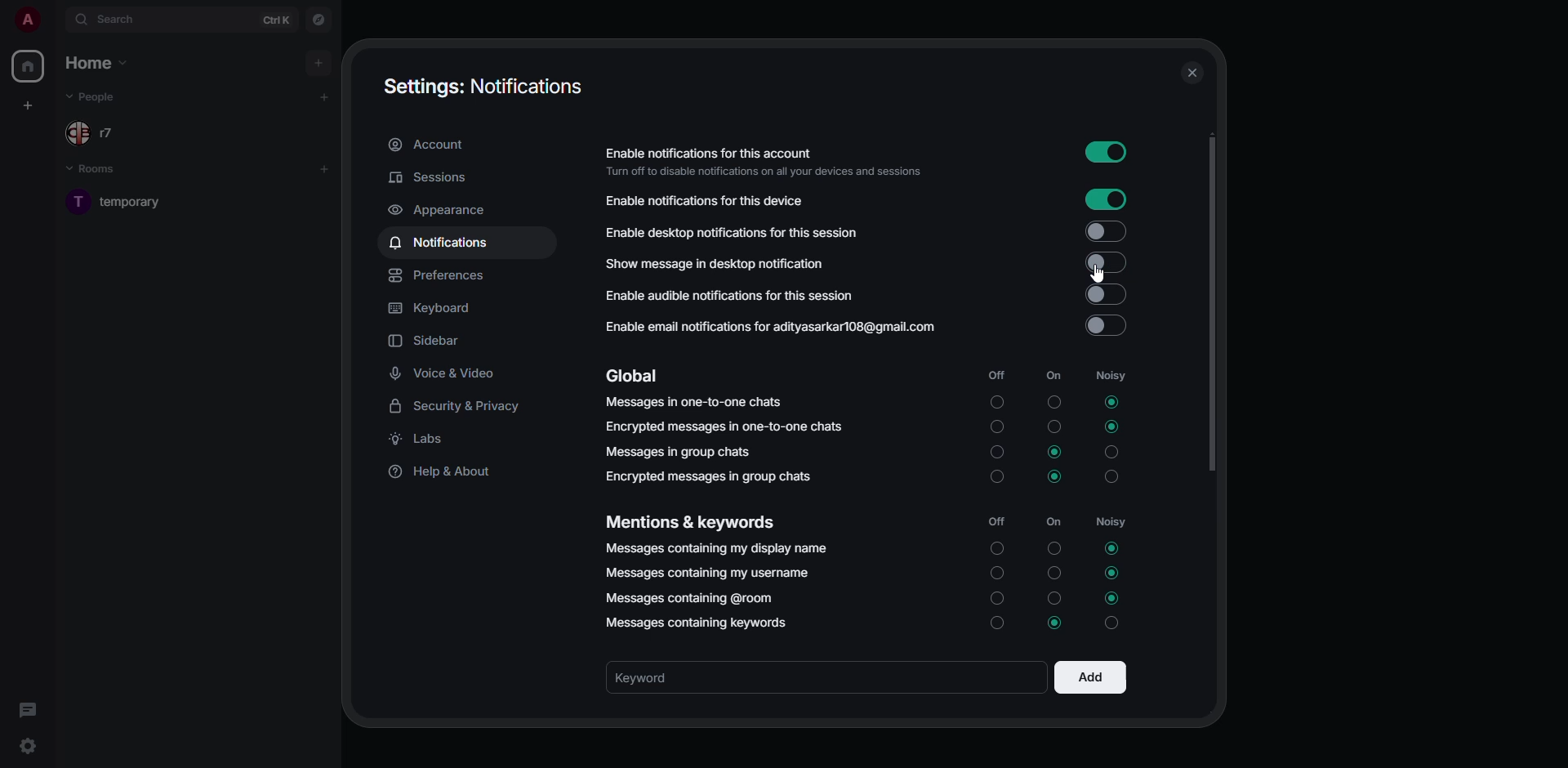 The height and width of the screenshot is (768, 1568). Describe the element at coordinates (769, 160) in the screenshot. I see `enable notifications for this account` at that location.